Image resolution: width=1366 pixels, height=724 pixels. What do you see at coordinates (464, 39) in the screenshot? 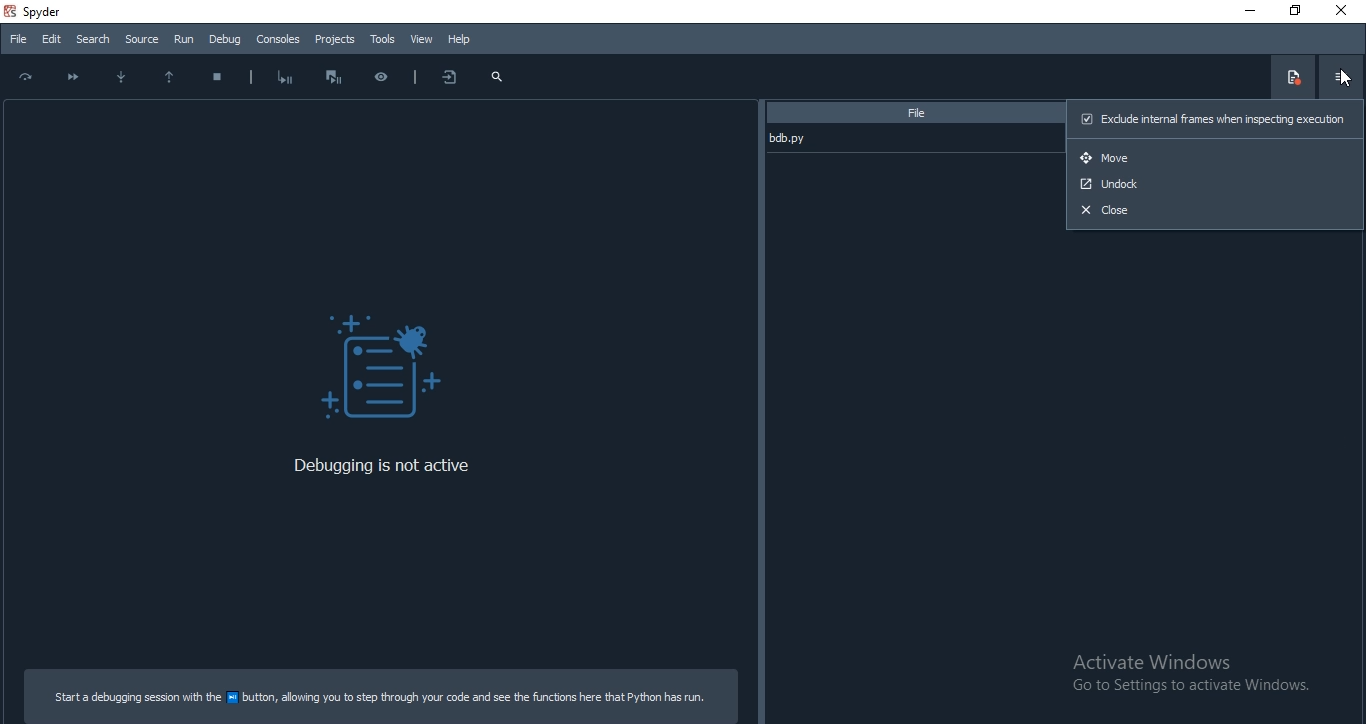
I see `Help` at bounding box center [464, 39].